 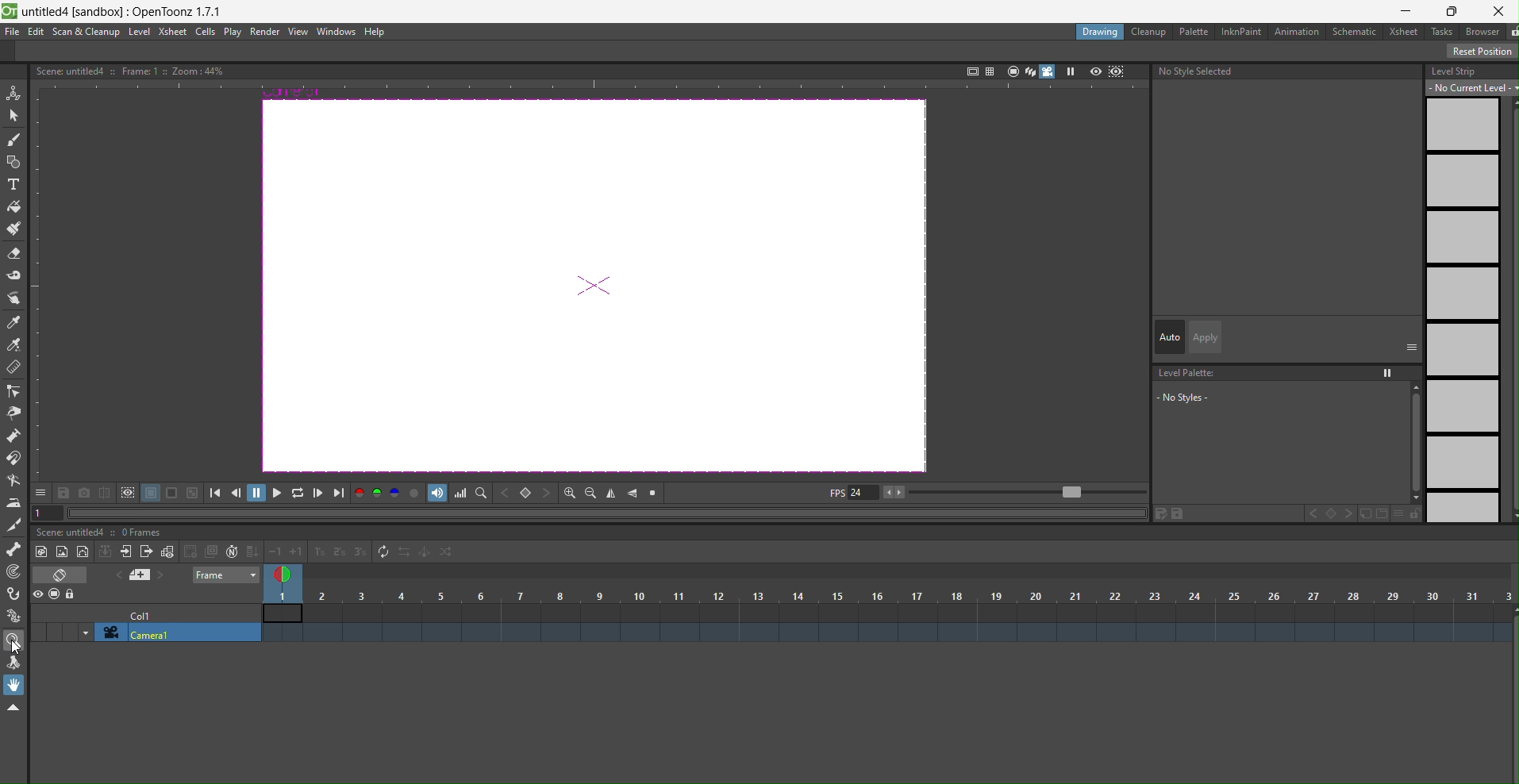 What do you see at coordinates (71, 595) in the screenshot?
I see `lock column` at bounding box center [71, 595].